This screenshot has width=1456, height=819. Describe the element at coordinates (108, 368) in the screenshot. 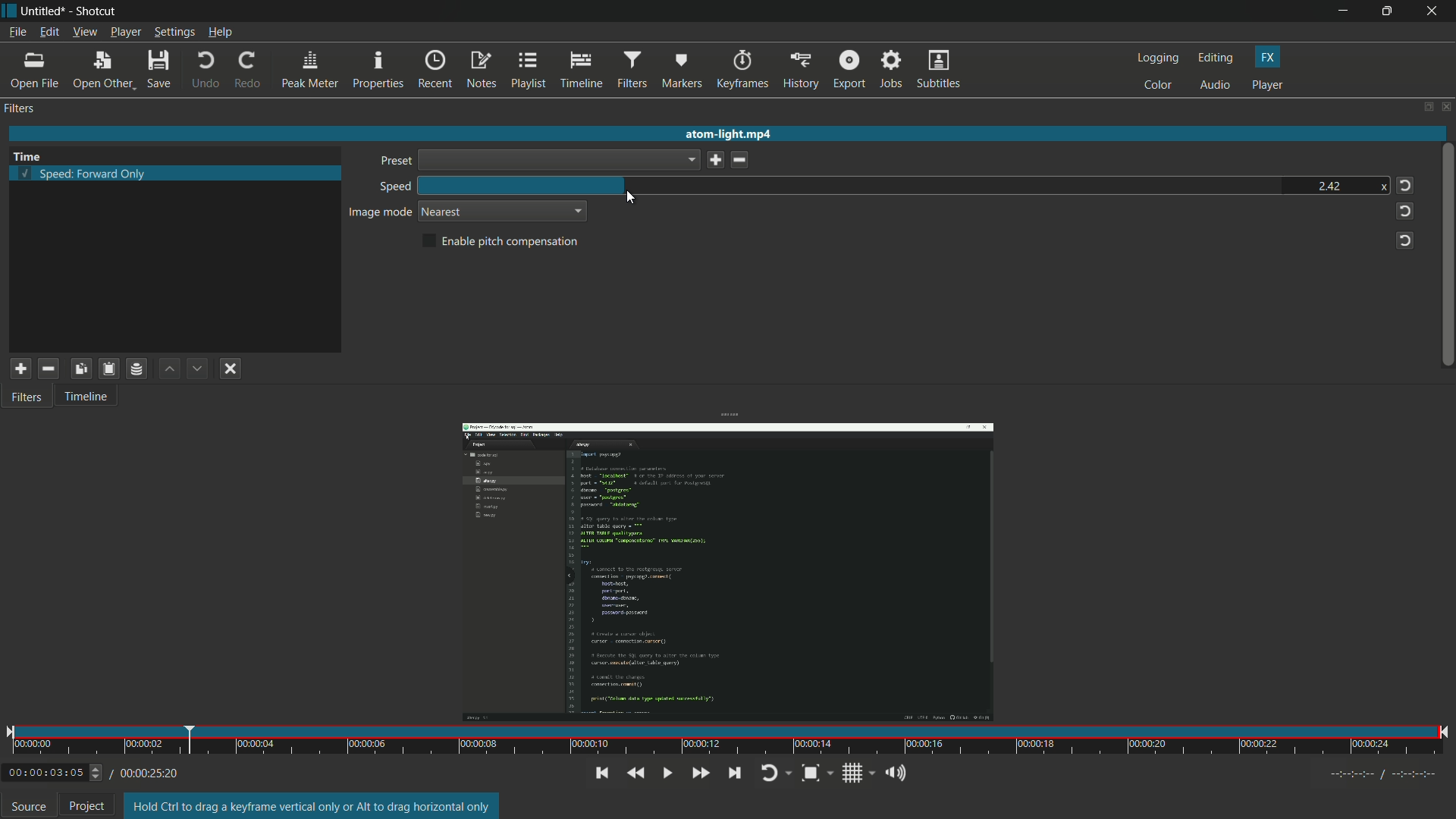

I see `paste filter` at that location.